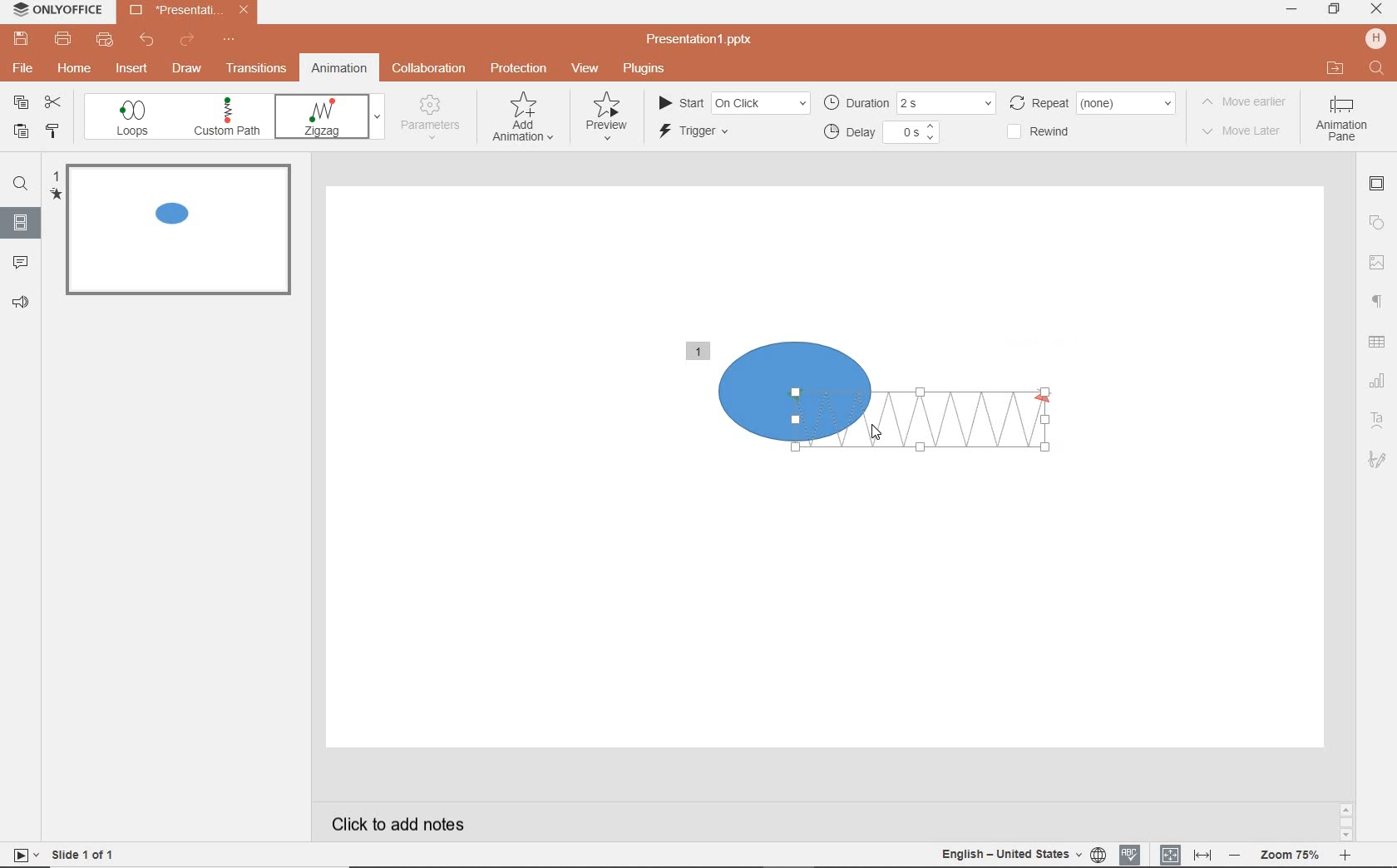 The width and height of the screenshot is (1397, 868). I want to click on view, so click(588, 69).